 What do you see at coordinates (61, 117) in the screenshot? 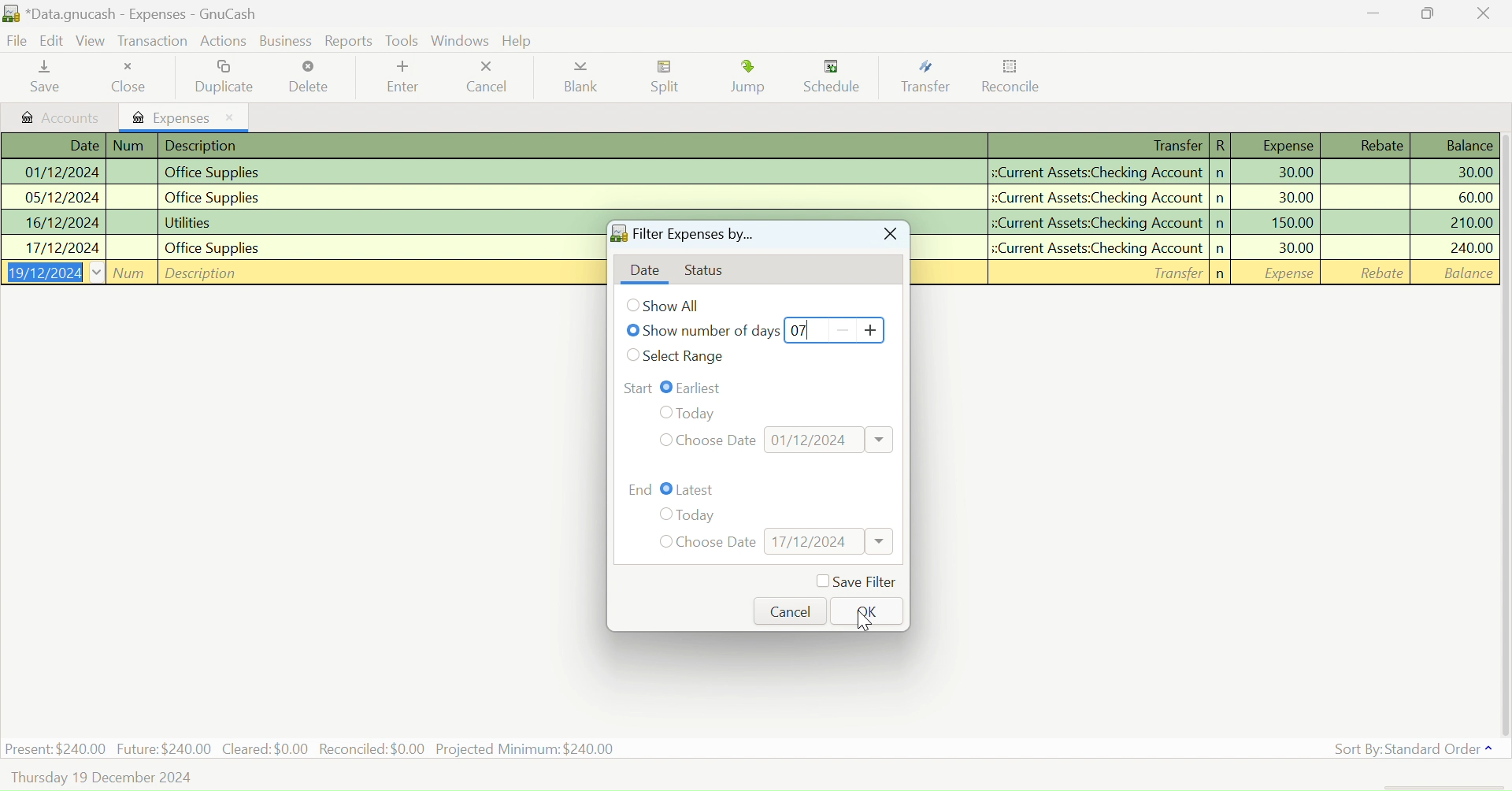
I see `Accounts` at bounding box center [61, 117].